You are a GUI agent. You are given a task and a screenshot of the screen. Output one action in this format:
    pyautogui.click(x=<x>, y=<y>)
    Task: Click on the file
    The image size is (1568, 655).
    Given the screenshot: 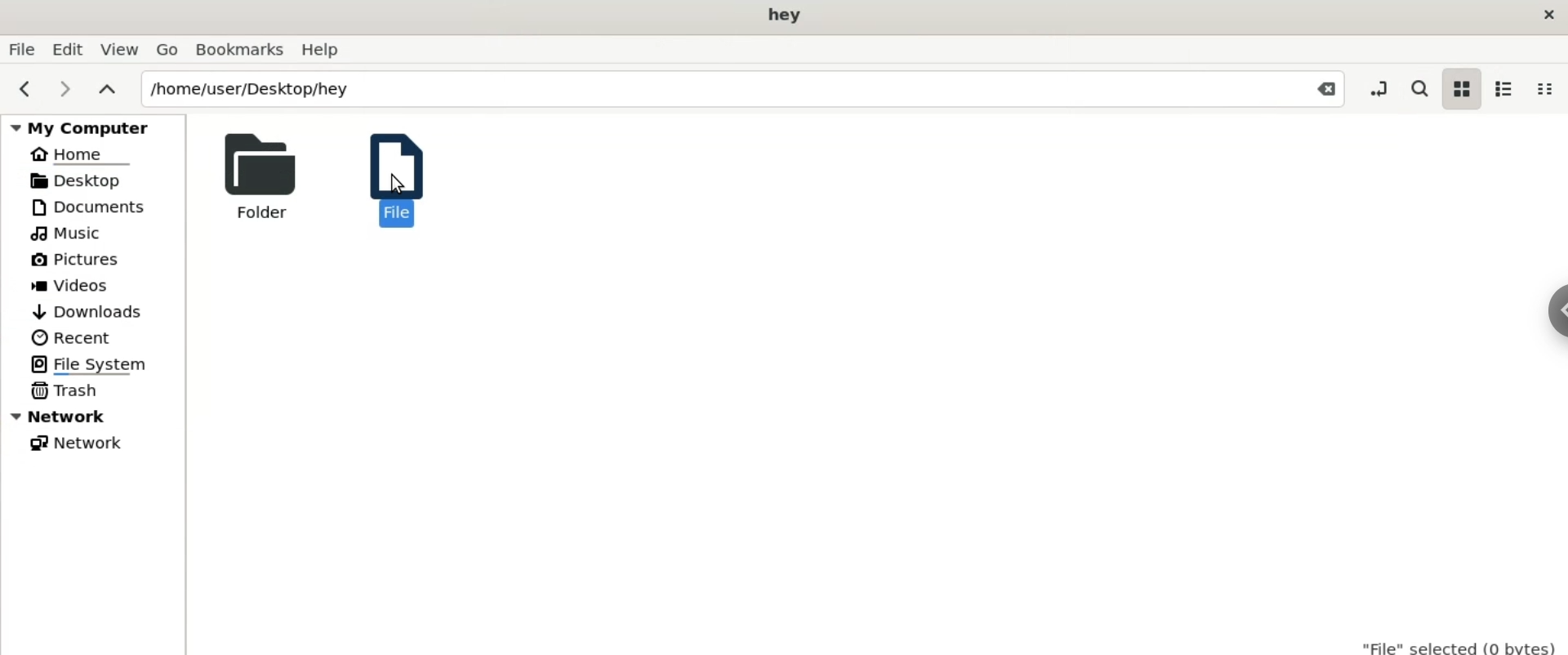 What is the action you would take?
    pyautogui.click(x=393, y=176)
    